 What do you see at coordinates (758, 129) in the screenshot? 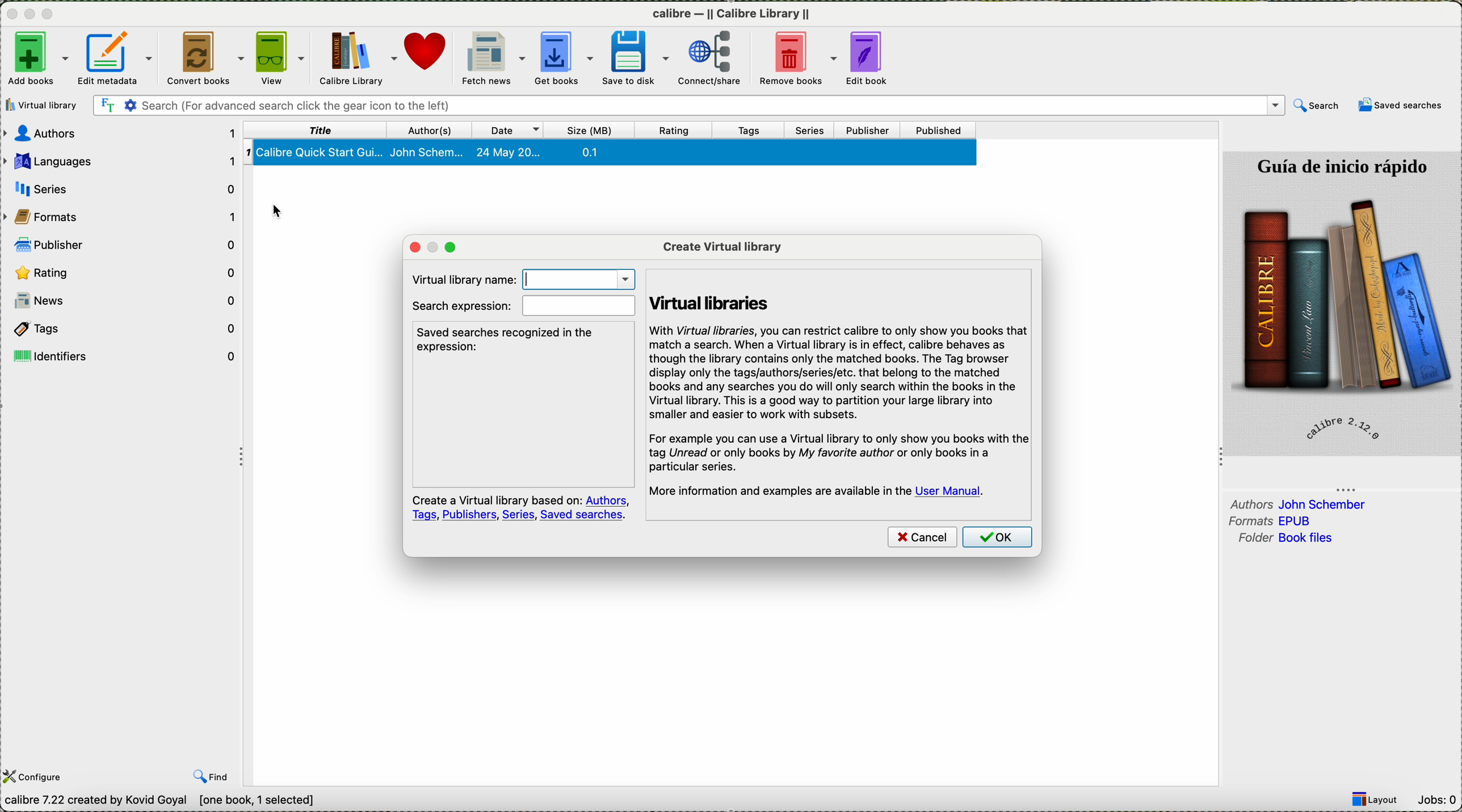
I see `tags` at bounding box center [758, 129].